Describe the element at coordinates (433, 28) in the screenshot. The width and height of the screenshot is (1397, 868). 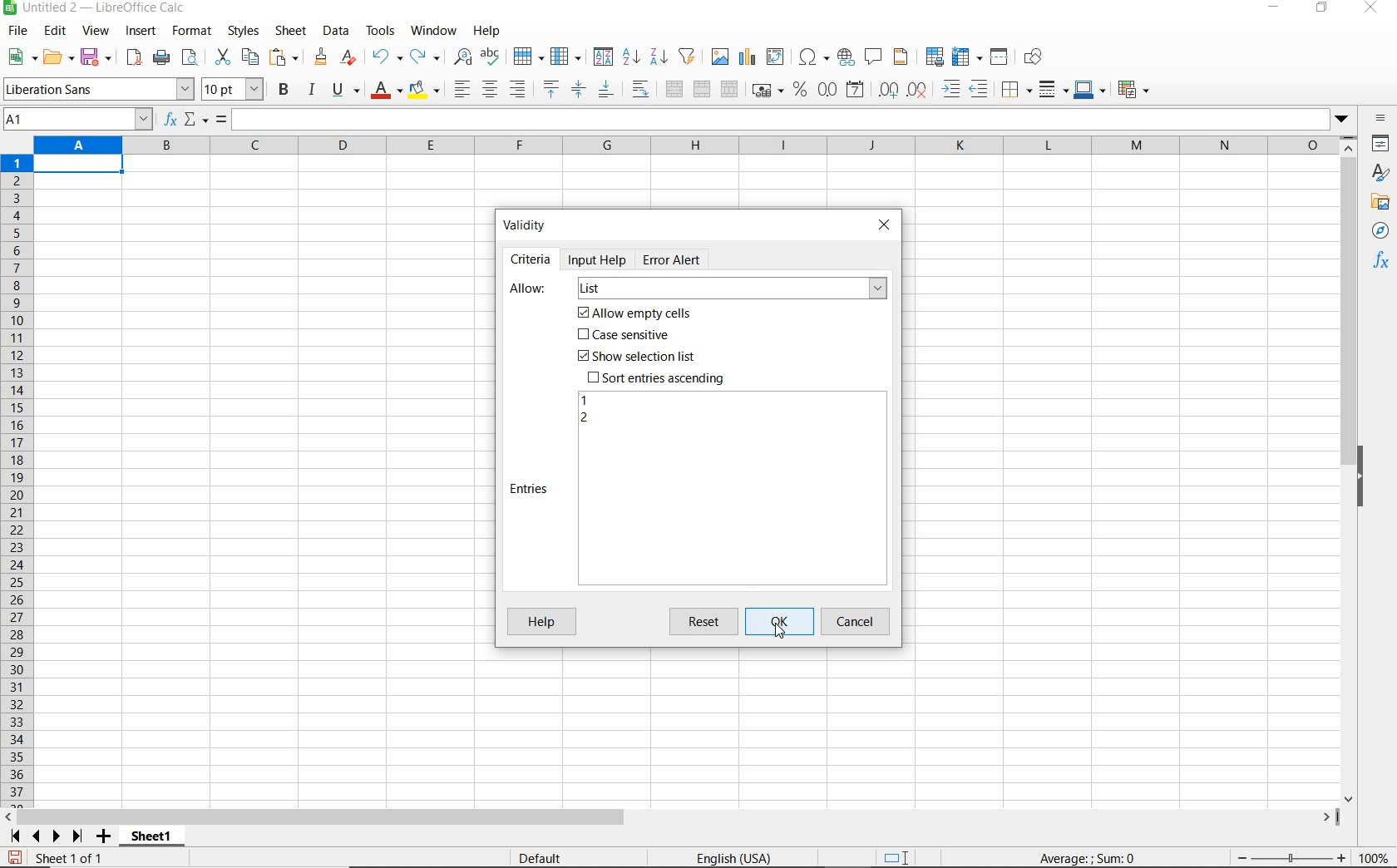
I see `window` at that location.